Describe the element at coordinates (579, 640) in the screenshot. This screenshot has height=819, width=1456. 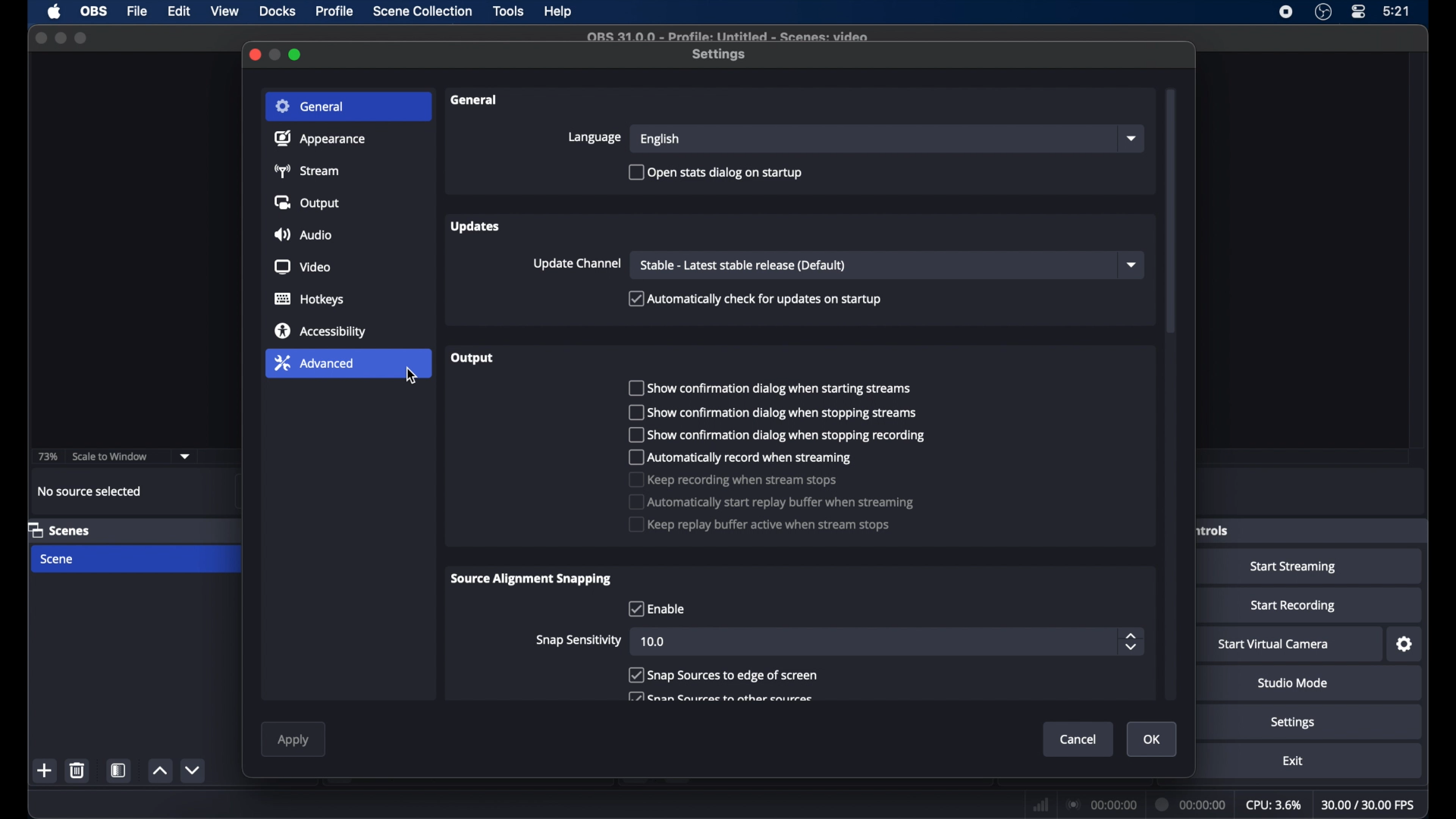
I see `snap sensitivity` at that location.